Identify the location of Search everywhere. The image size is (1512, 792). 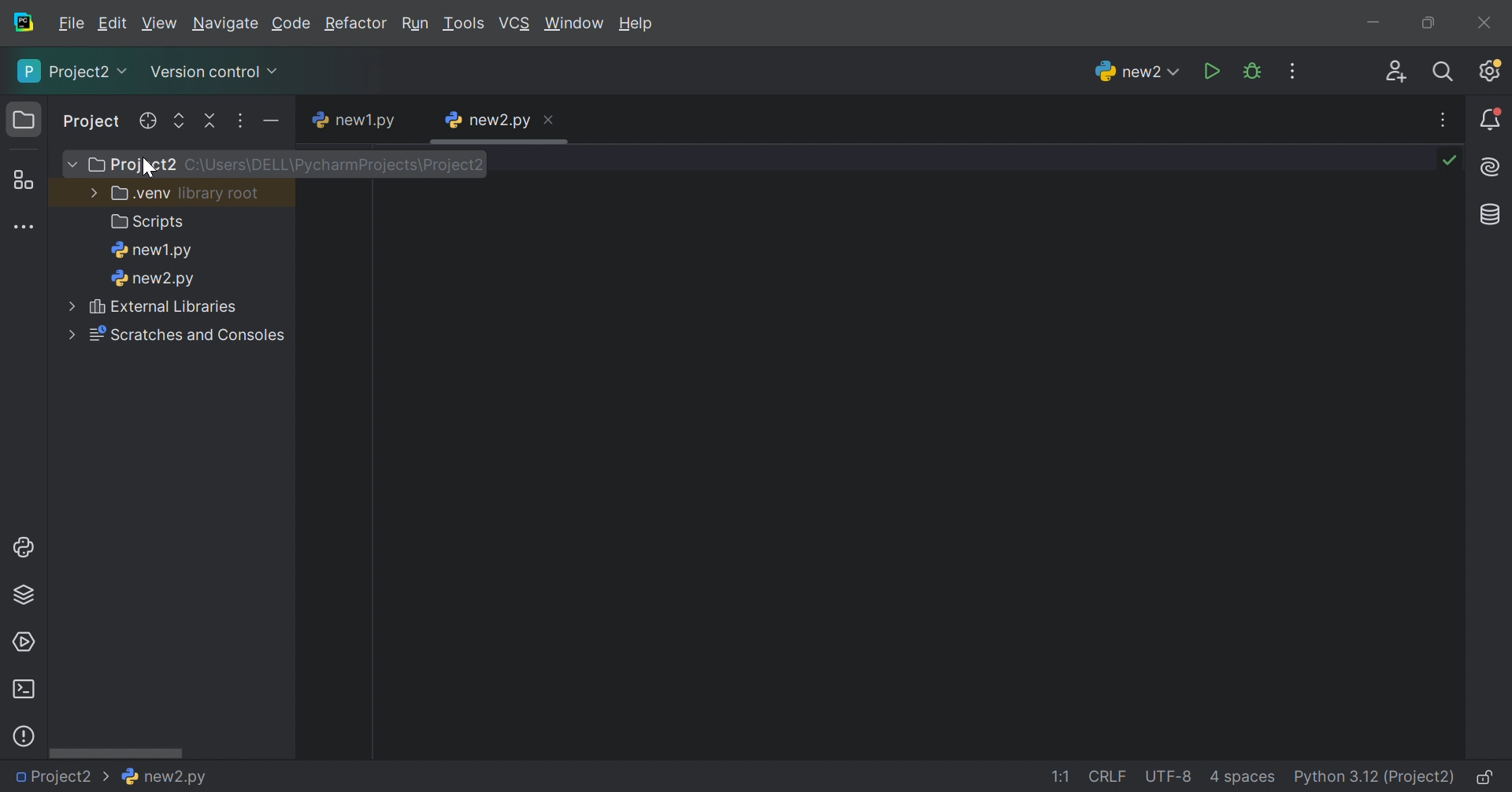
(1446, 74).